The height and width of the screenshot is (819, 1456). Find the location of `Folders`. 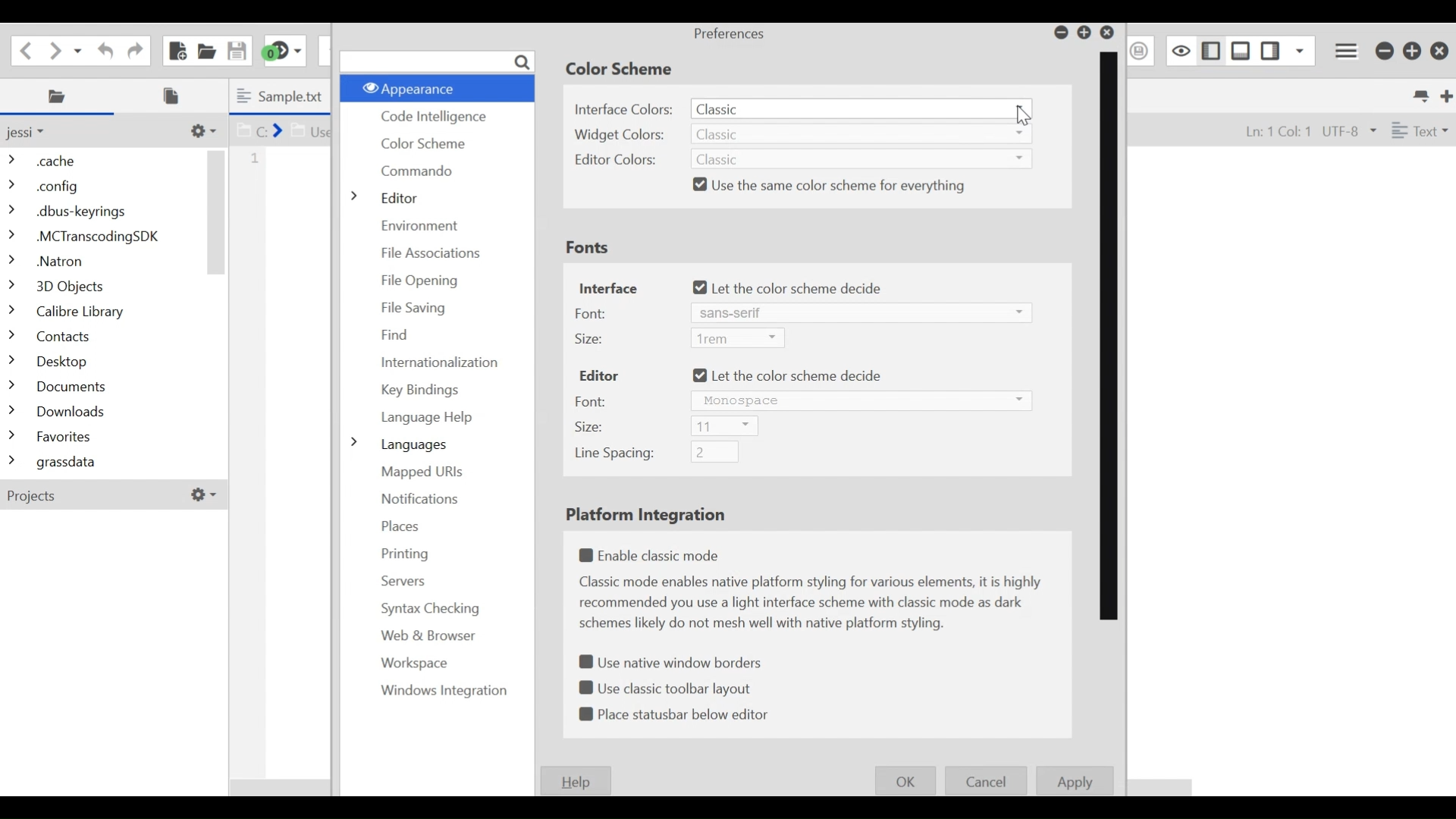

Folders is located at coordinates (102, 313).